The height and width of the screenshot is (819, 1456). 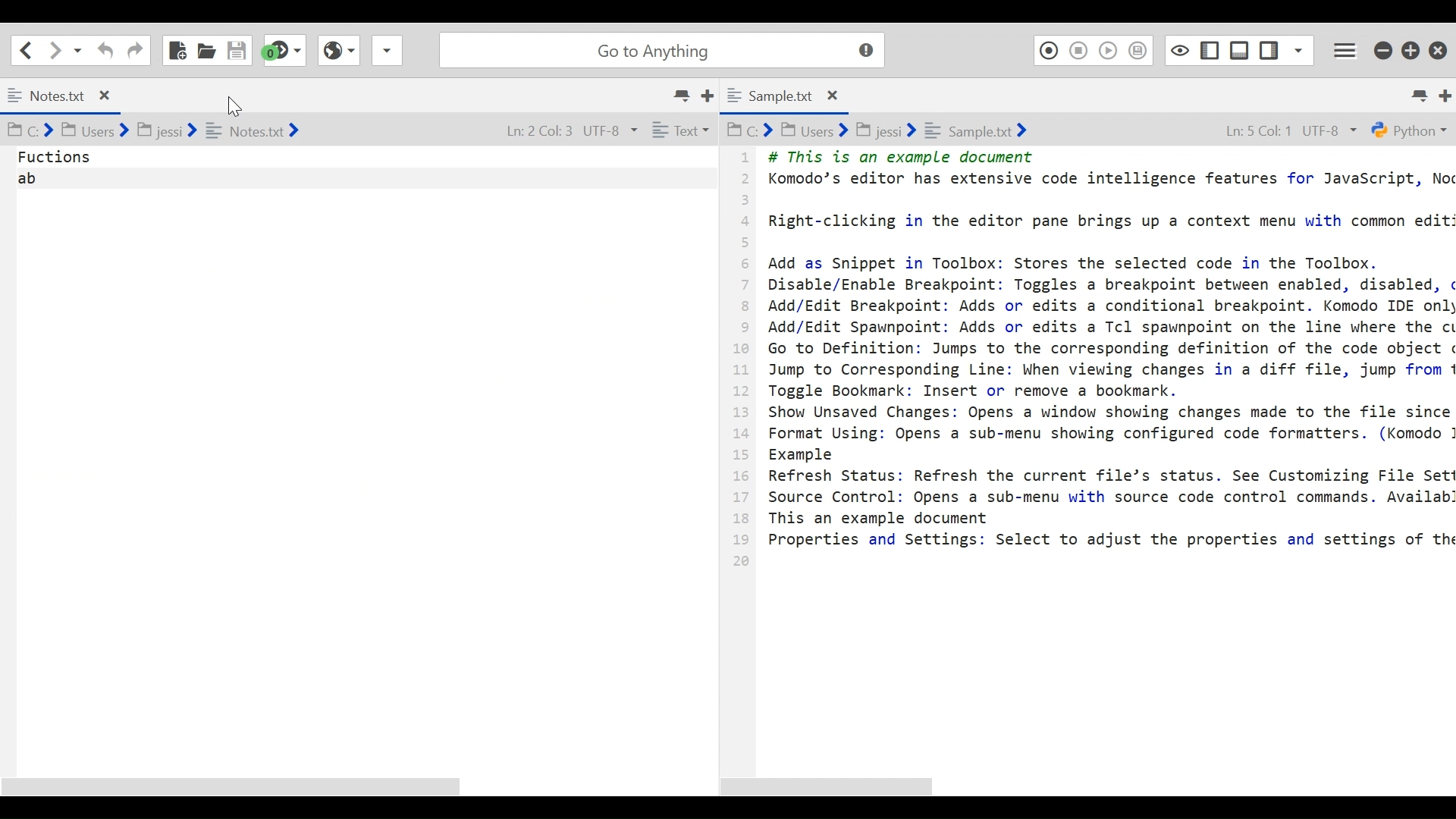 What do you see at coordinates (28, 49) in the screenshot?
I see `Go back one location` at bounding box center [28, 49].